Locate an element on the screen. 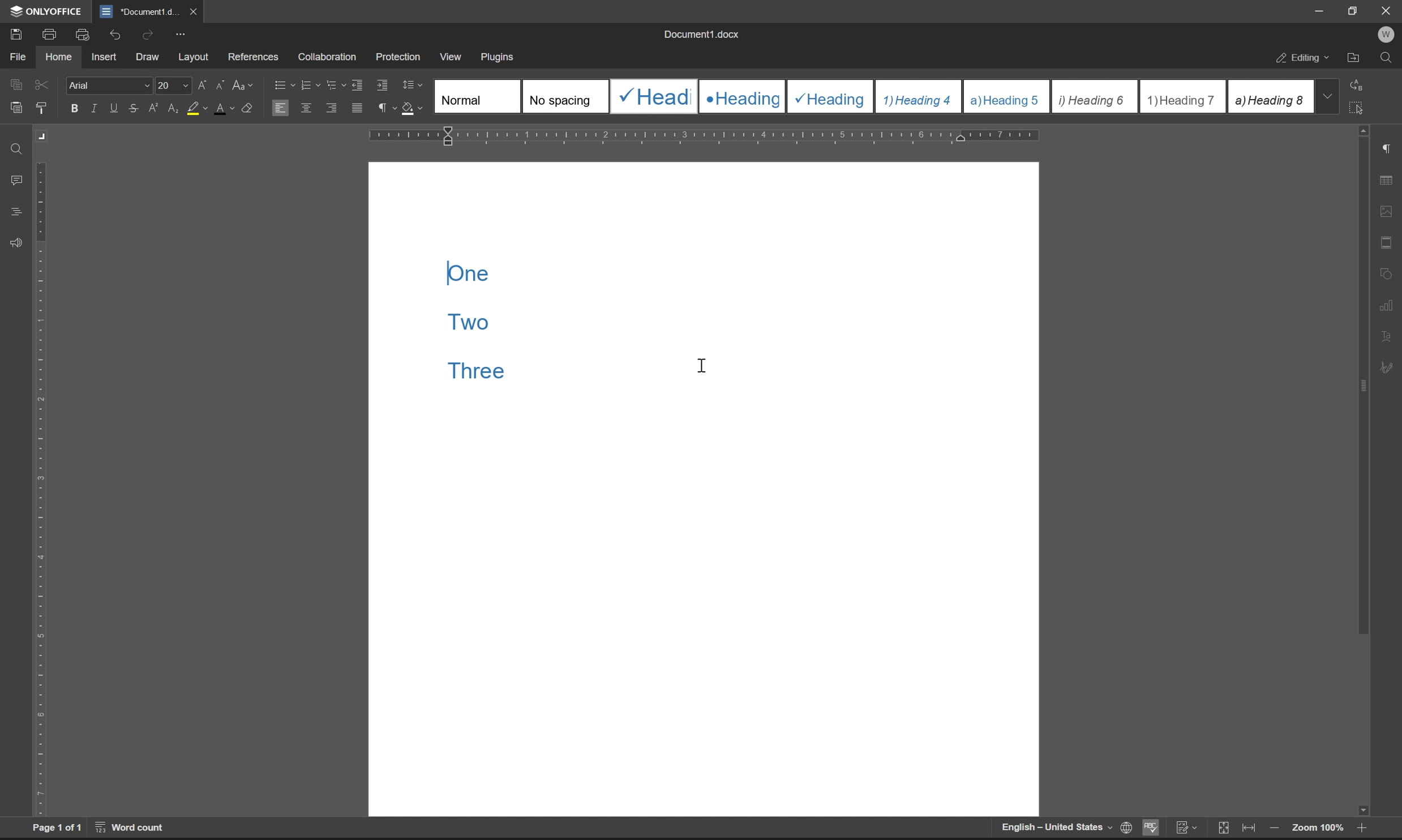 This screenshot has height=840, width=1402. Heading 3 is located at coordinates (831, 97).